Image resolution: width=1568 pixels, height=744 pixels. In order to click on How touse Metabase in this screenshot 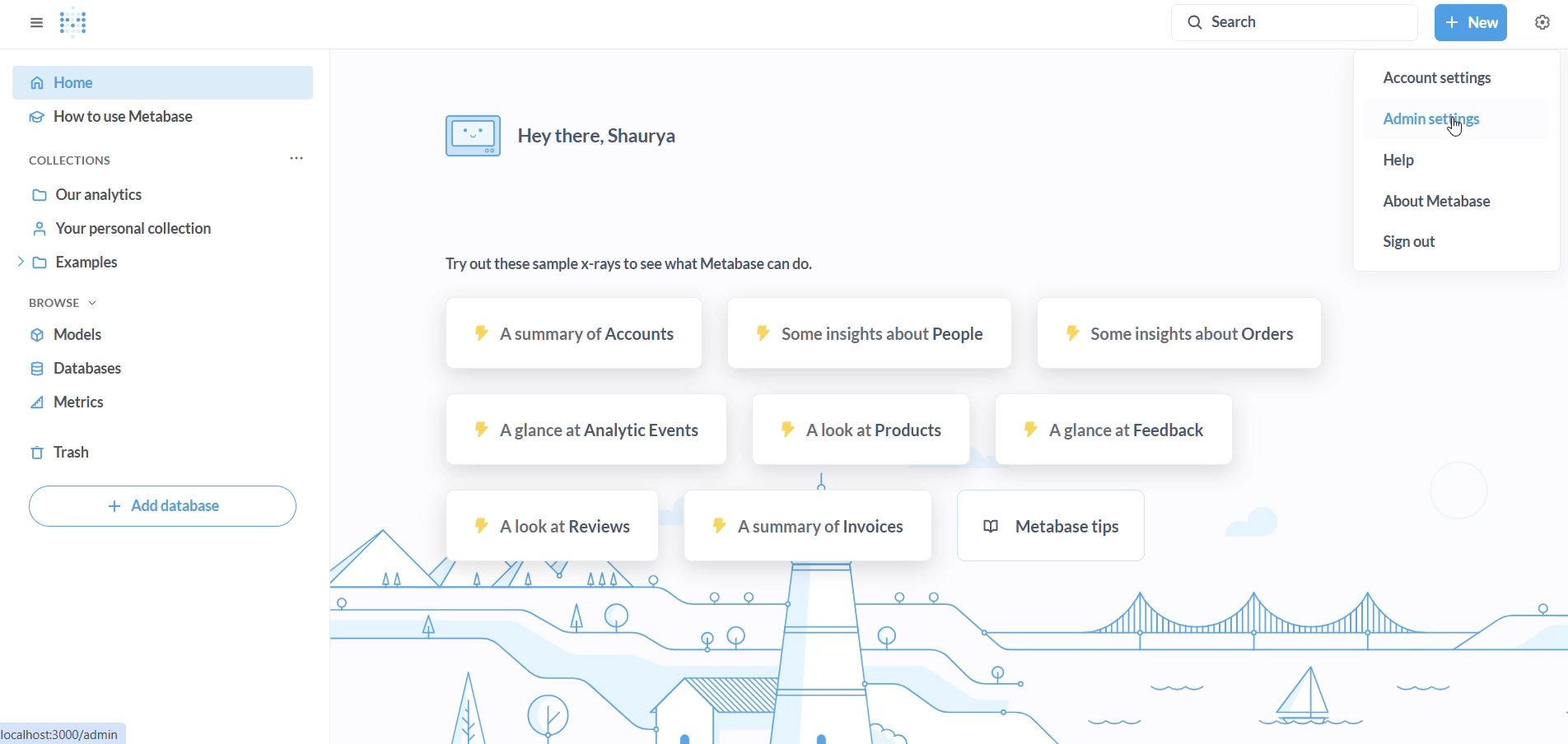, I will do `click(111, 120)`.